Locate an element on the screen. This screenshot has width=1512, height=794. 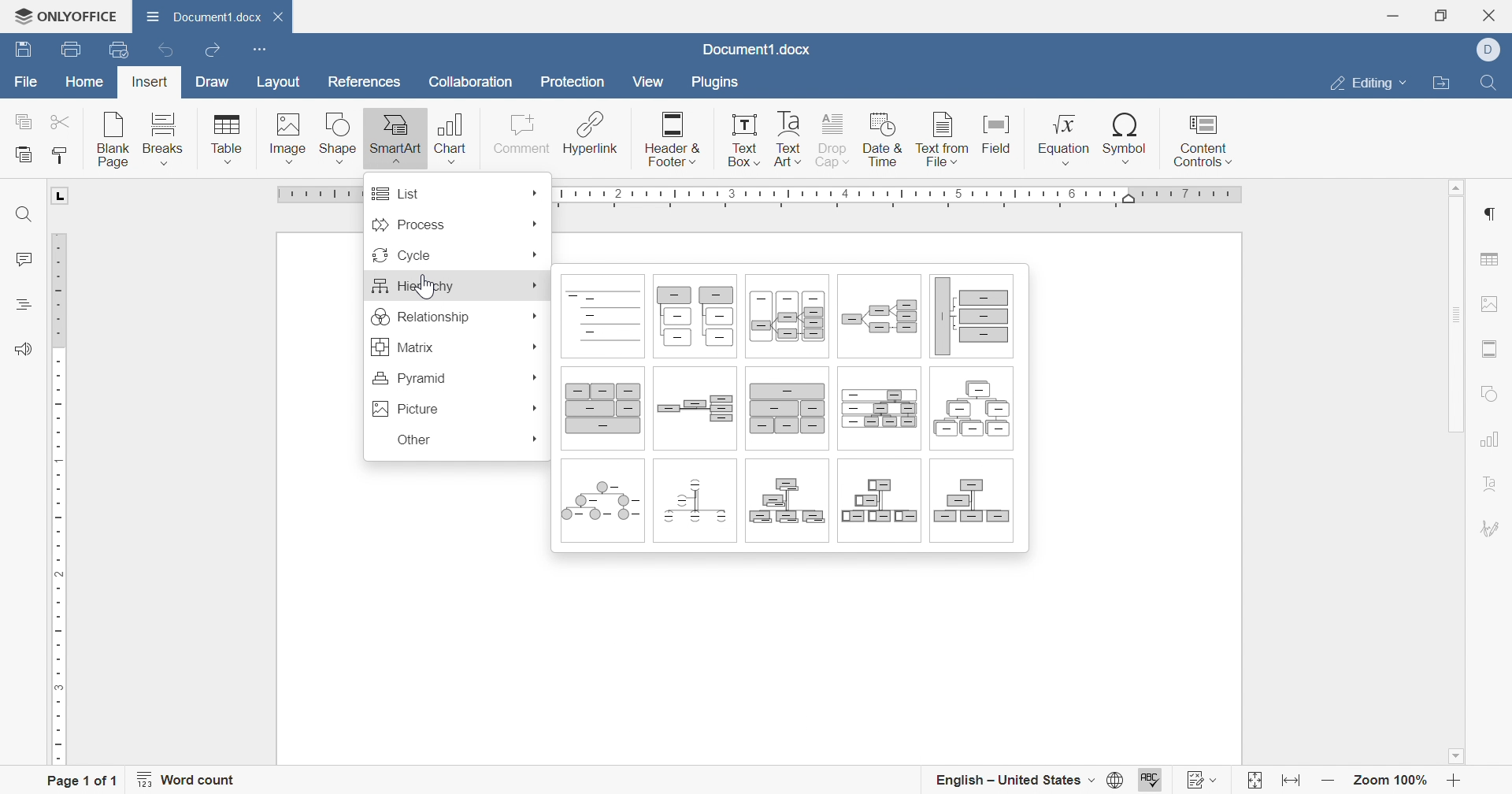
Image is located at coordinates (290, 139).